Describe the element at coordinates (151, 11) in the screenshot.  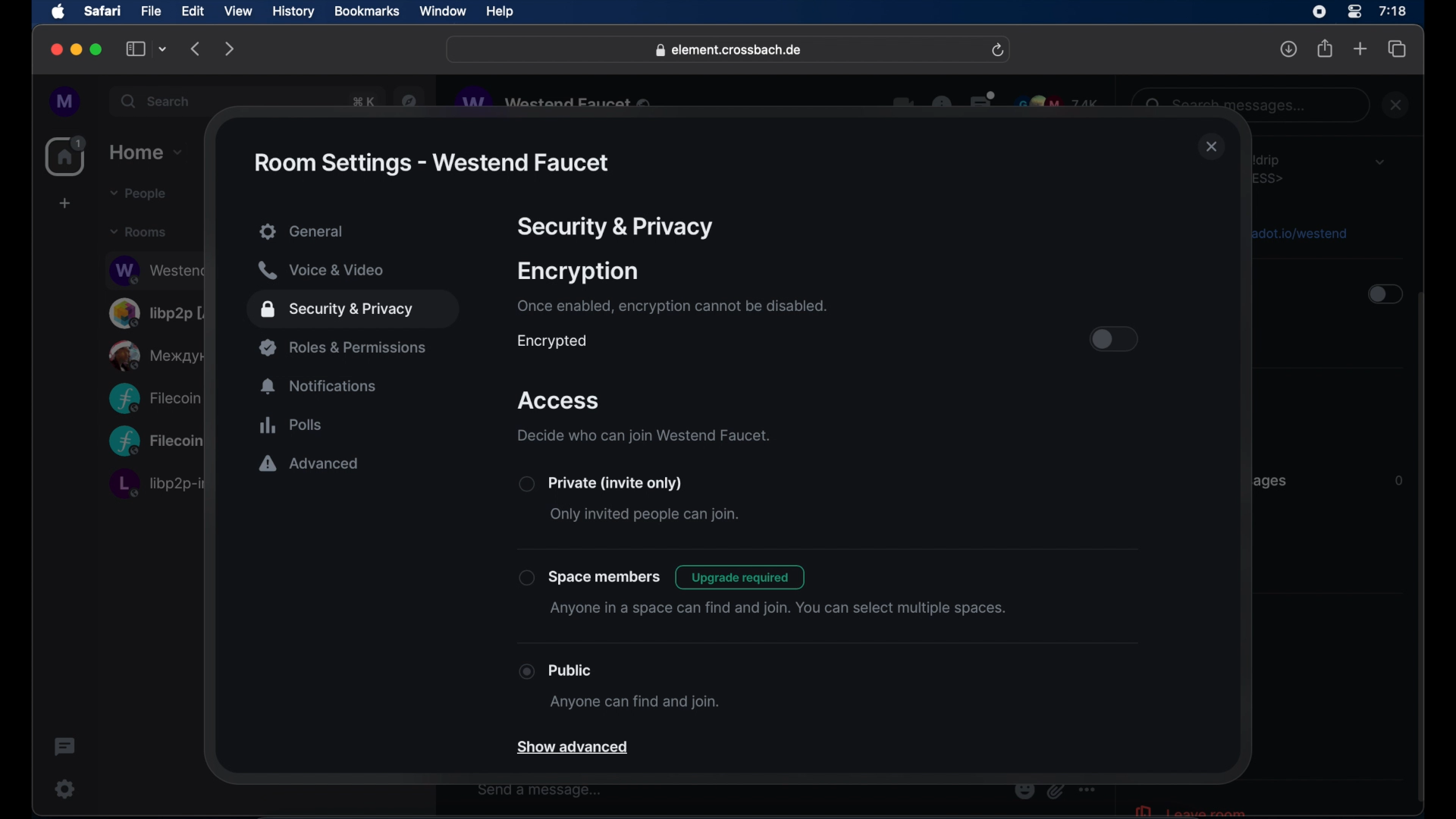
I see `file` at that location.